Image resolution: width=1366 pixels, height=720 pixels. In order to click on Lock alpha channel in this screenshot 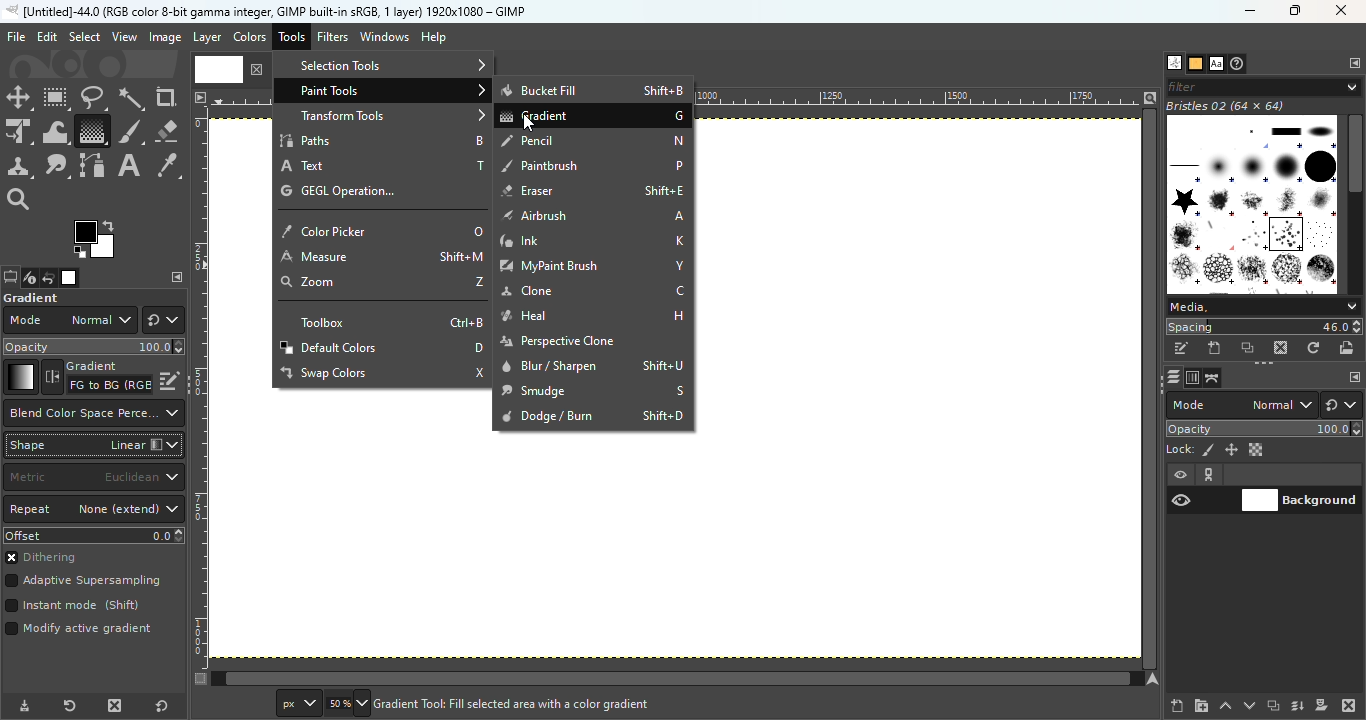, I will do `click(1258, 450)`.